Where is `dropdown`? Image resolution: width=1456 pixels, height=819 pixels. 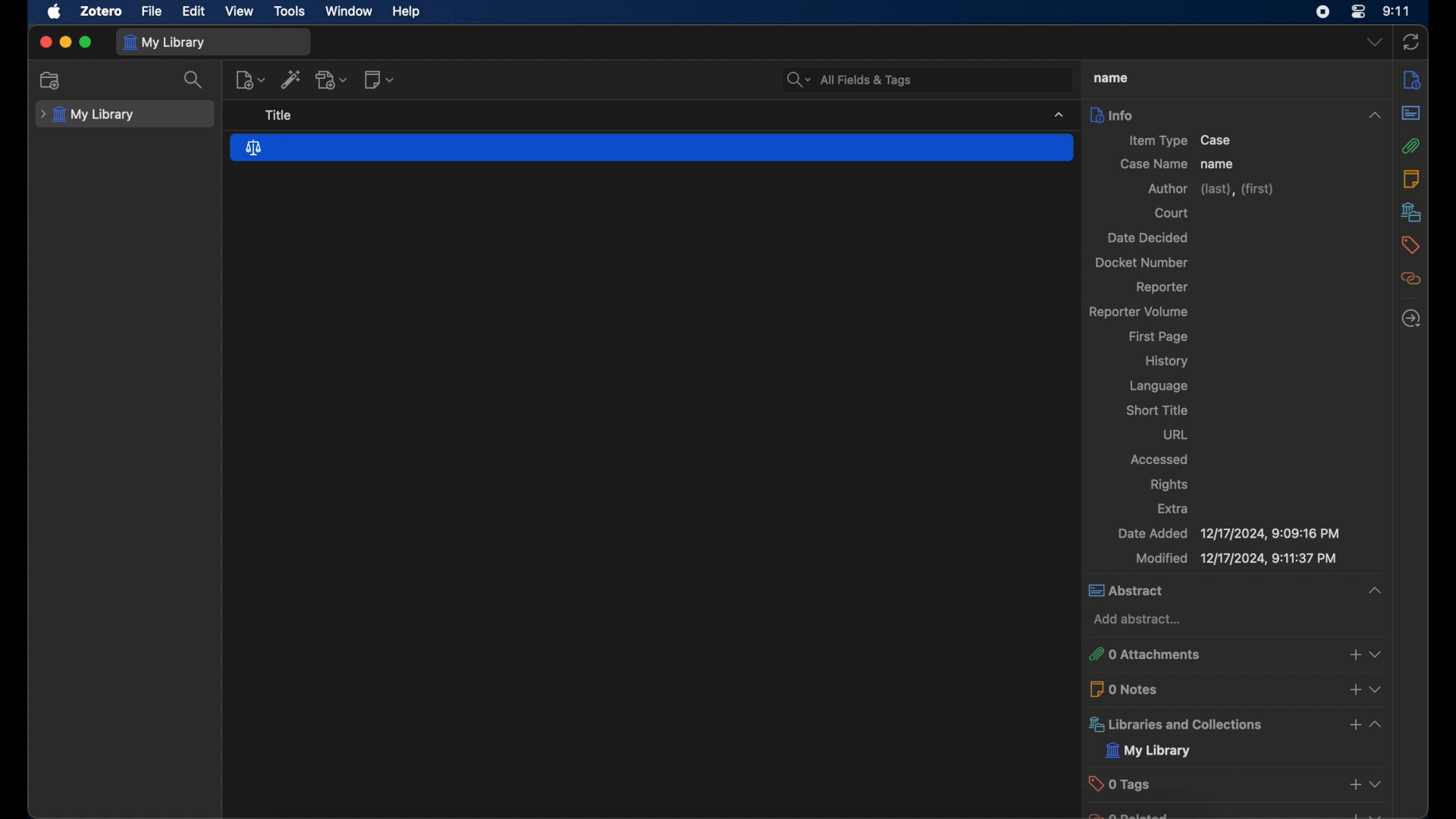 dropdown is located at coordinates (1059, 115).